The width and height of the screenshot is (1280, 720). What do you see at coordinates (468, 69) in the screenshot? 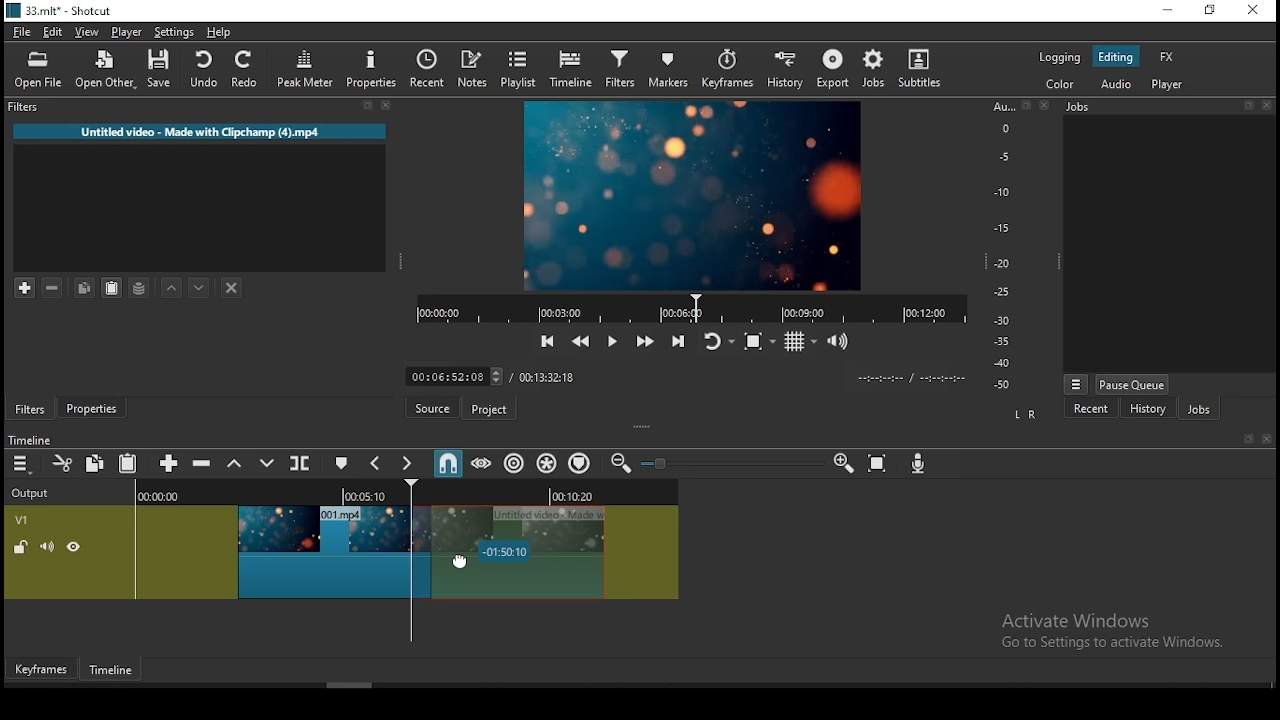
I see `notes` at bounding box center [468, 69].